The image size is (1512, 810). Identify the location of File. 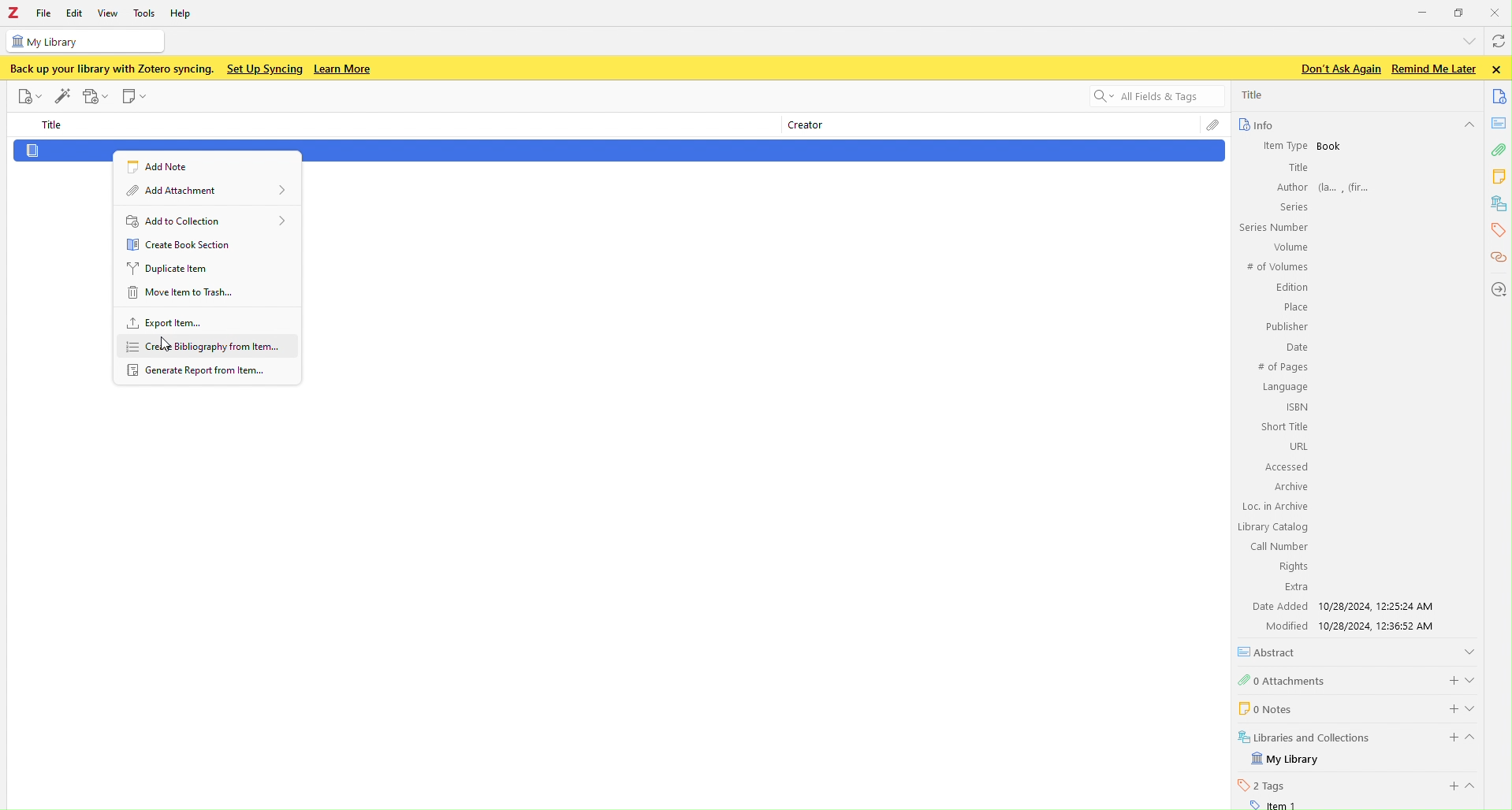
(28, 96).